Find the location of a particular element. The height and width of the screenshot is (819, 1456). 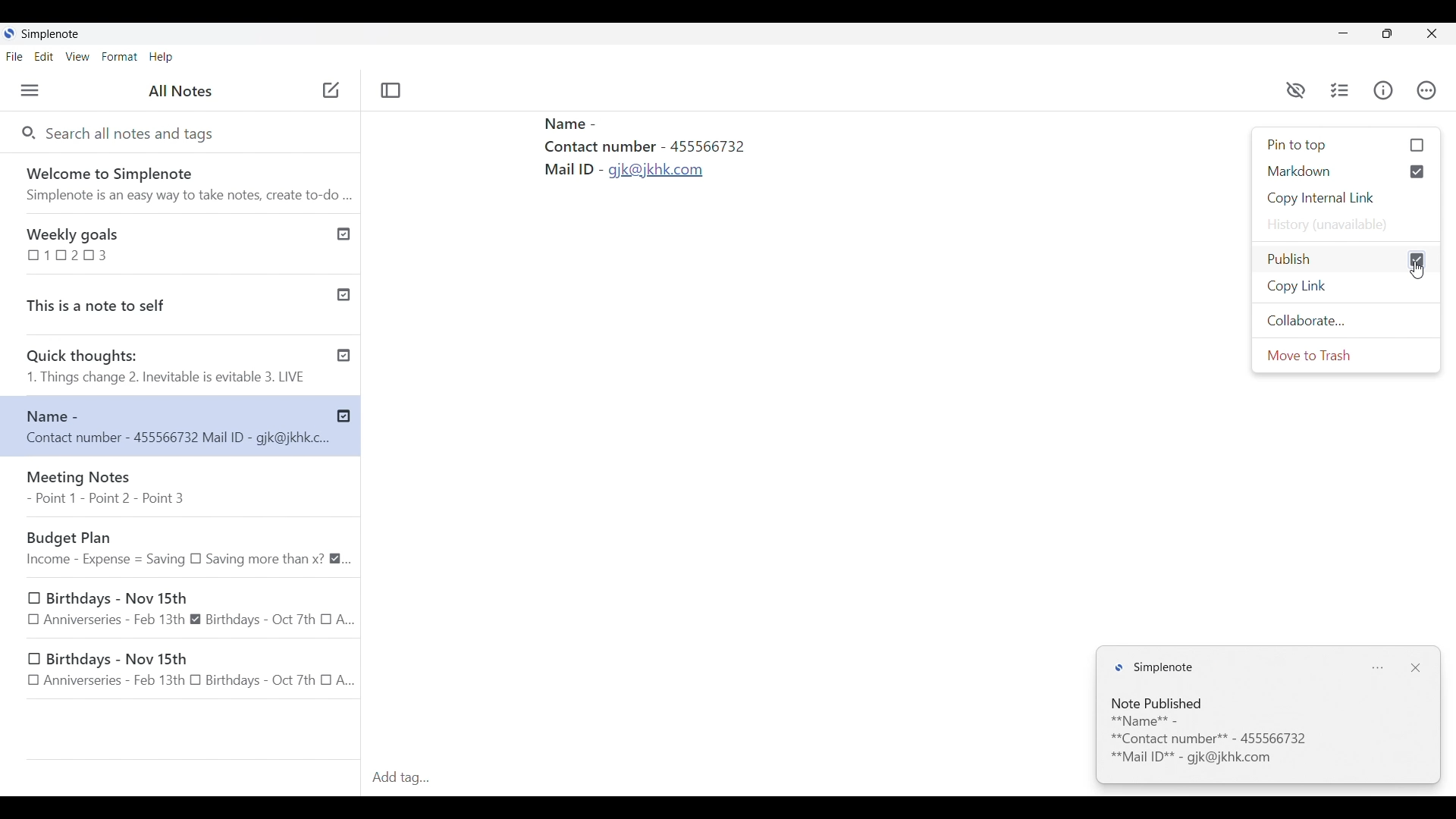

History is located at coordinates (1347, 224).